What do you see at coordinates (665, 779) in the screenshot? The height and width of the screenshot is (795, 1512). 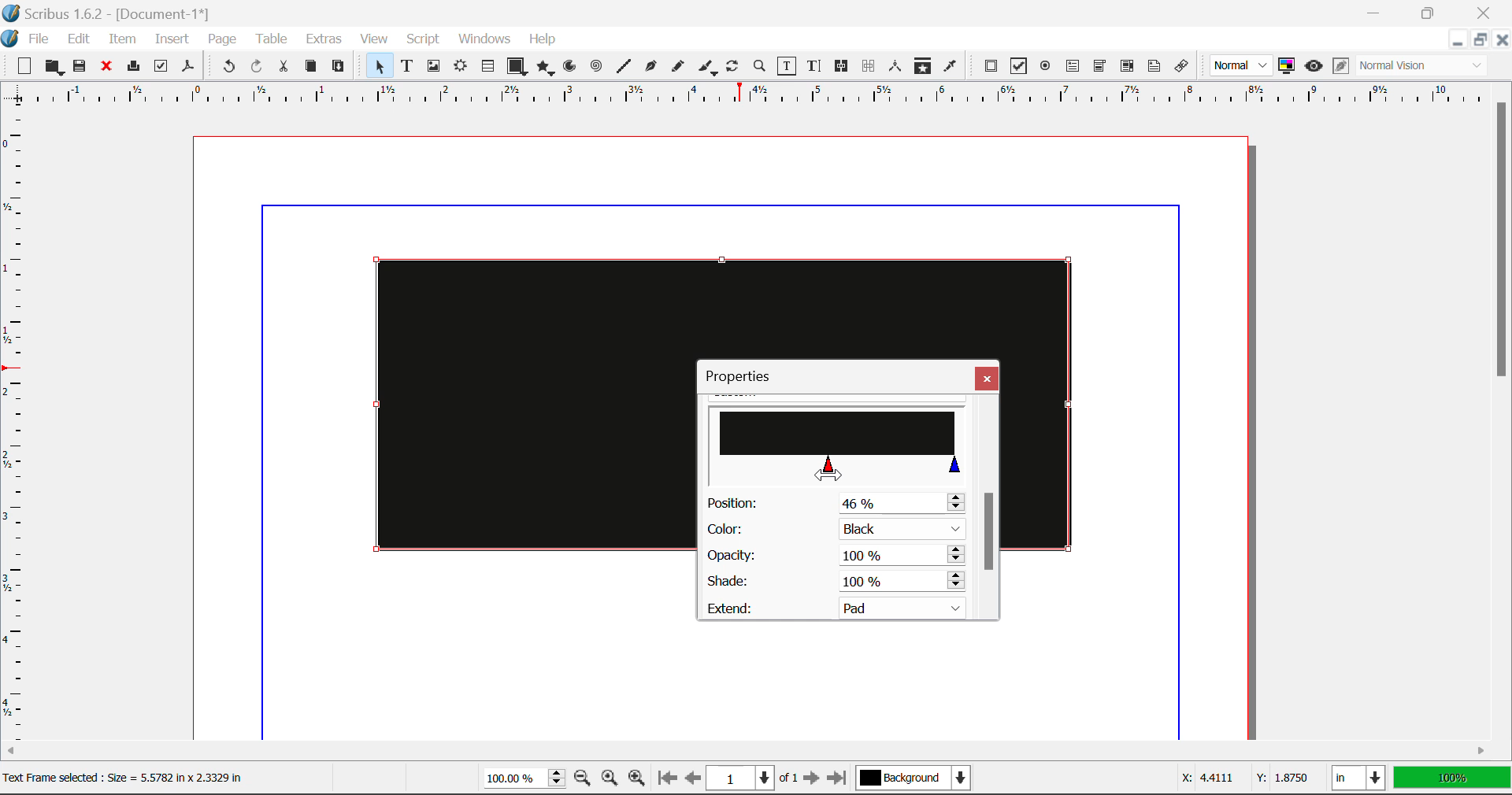 I see `First Page` at bounding box center [665, 779].